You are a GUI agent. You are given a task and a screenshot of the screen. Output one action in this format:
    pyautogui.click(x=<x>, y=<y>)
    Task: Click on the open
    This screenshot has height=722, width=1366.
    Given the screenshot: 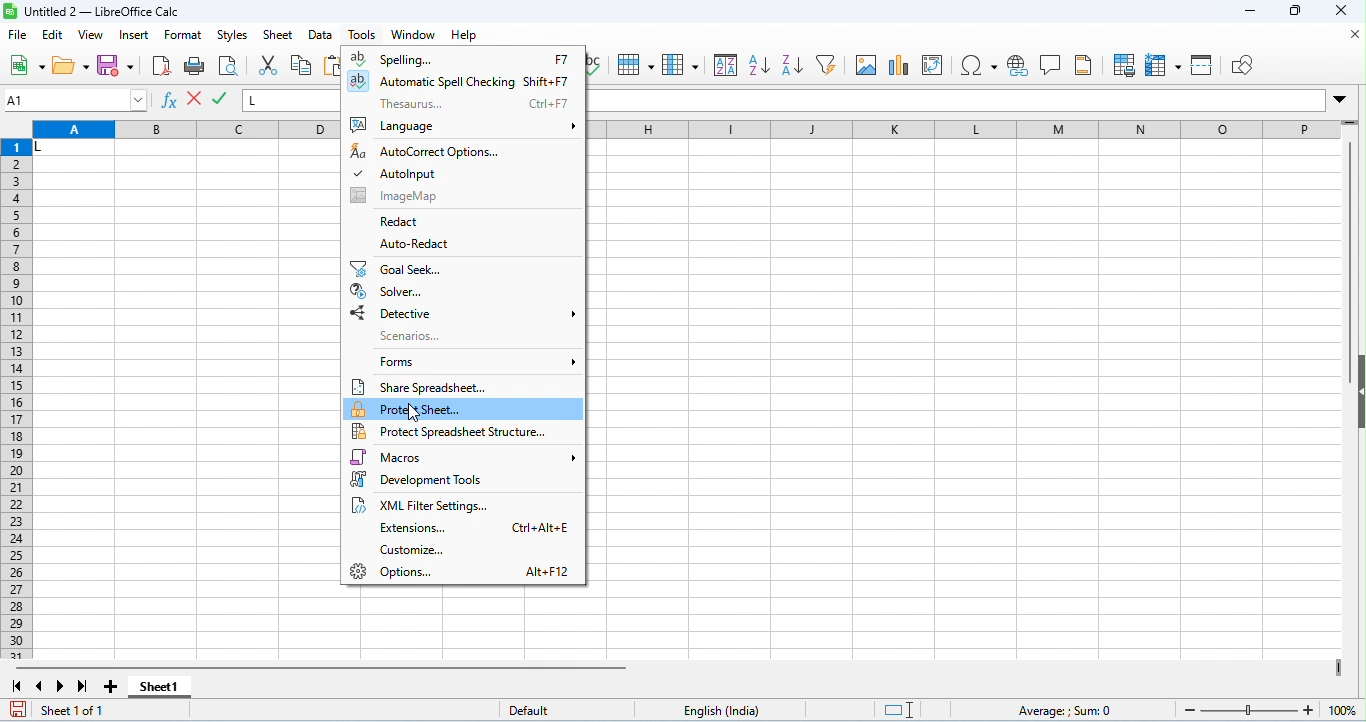 What is the action you would take?
    pyautogui.click(x=71, y=66)
    